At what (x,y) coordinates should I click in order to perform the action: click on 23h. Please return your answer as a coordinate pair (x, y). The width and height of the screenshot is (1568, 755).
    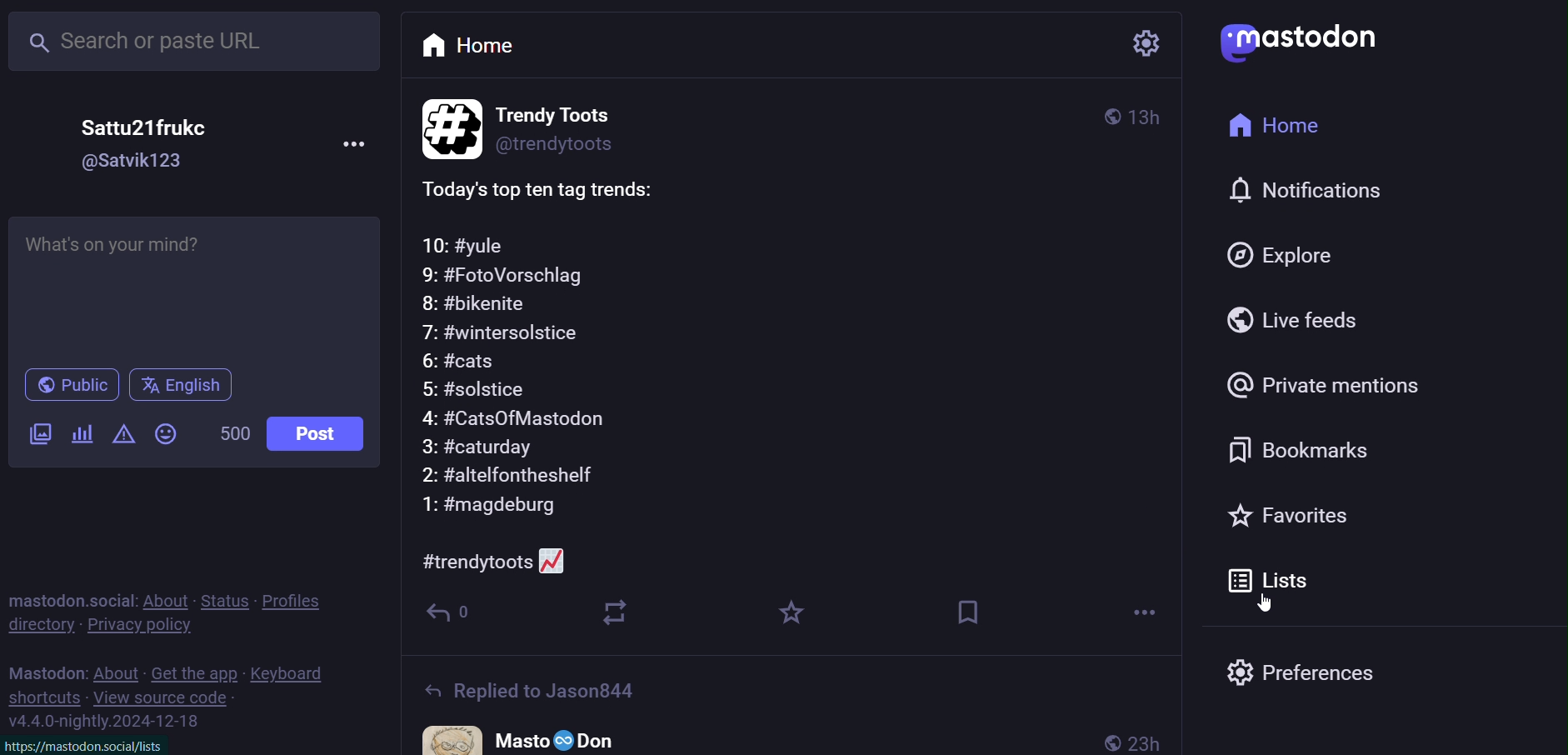
    Looking at the image, I should click on (1159, 739).